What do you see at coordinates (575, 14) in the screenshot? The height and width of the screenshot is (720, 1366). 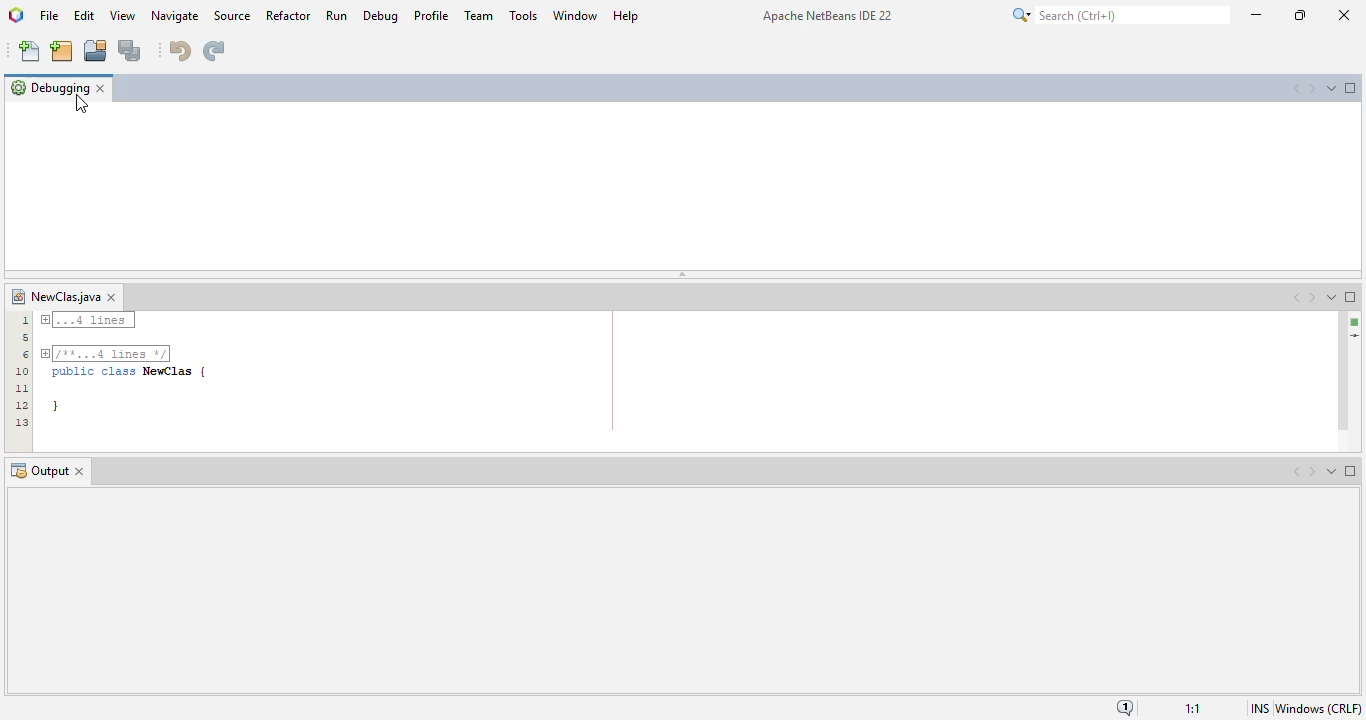 I see `window` at bounding box center [575, 14].